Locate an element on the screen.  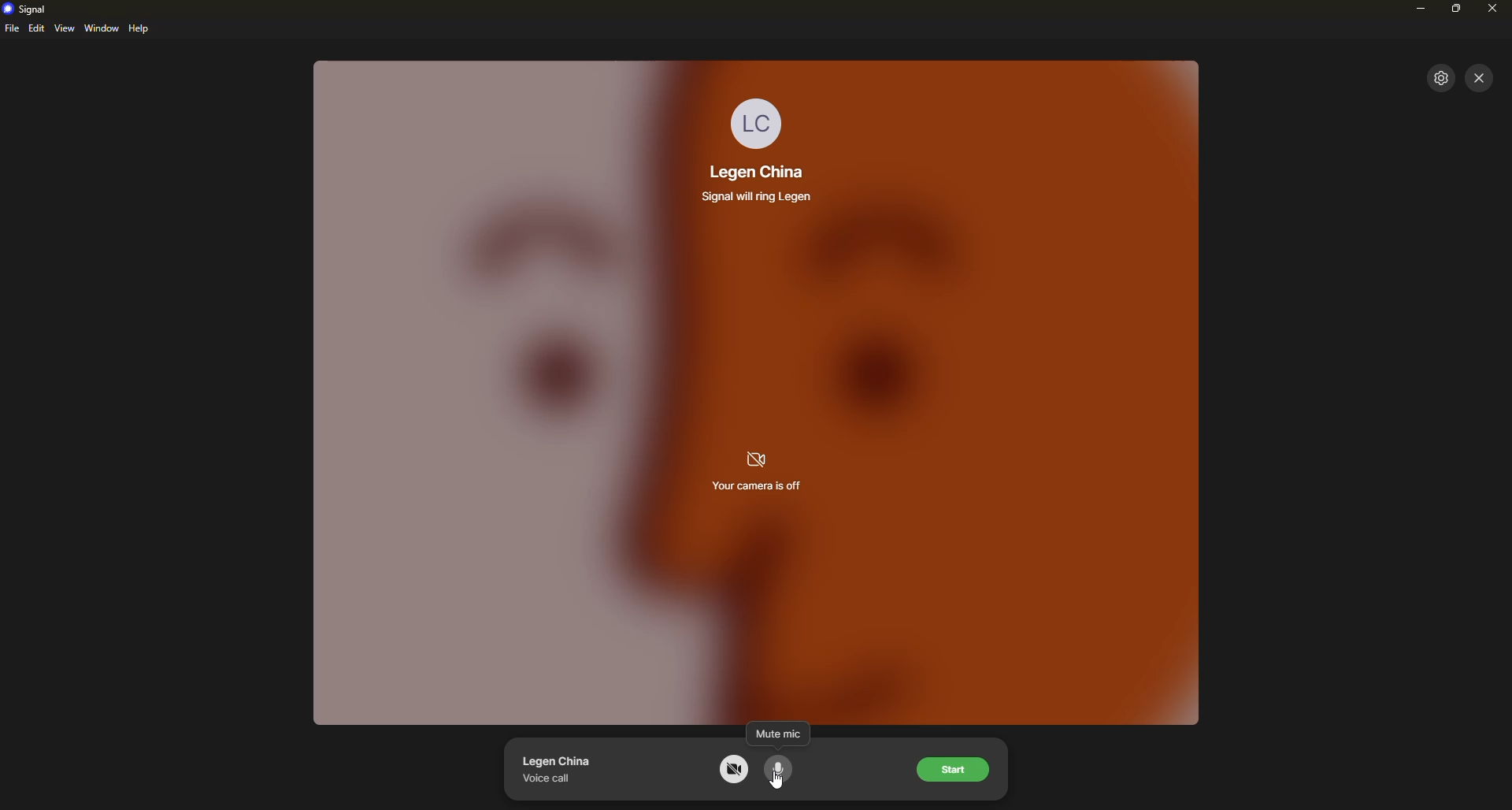
minimize is located at coordinates (1422, 9).